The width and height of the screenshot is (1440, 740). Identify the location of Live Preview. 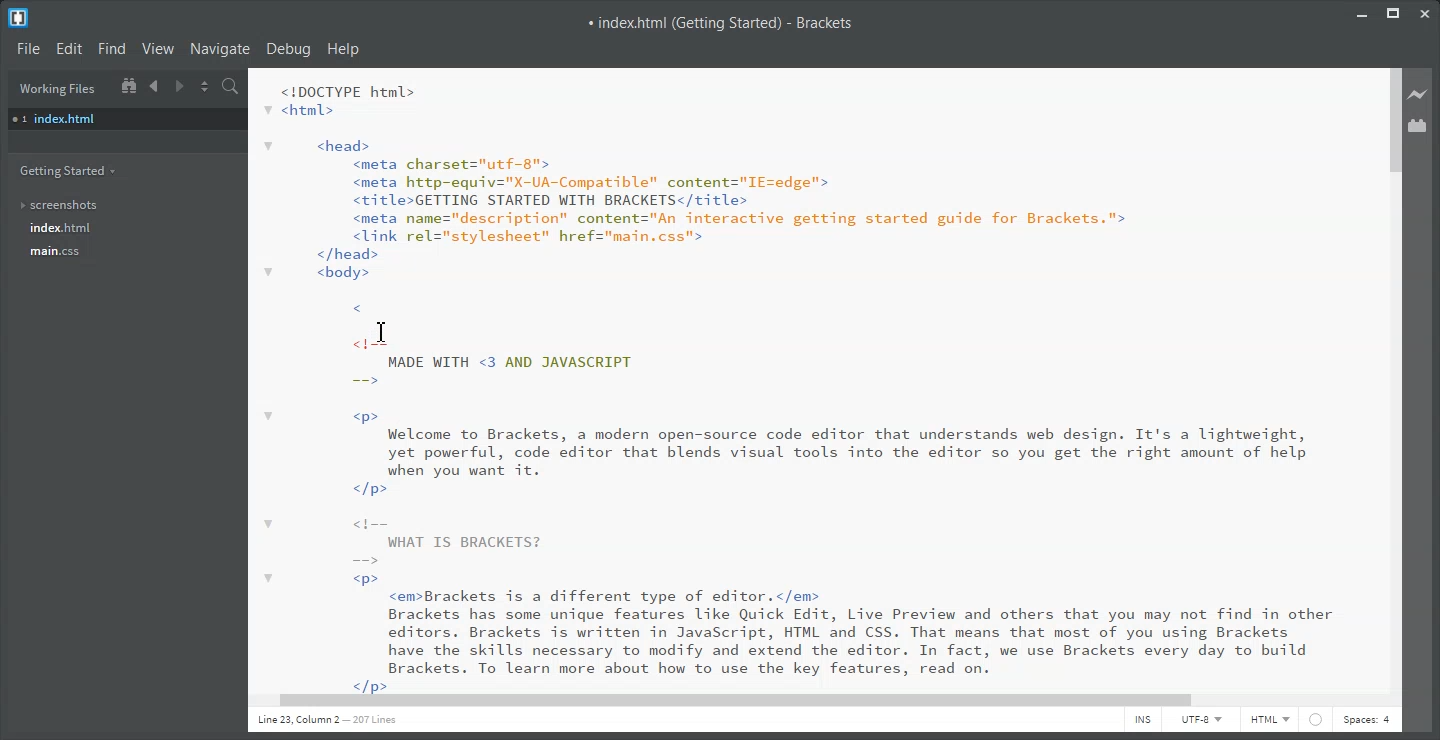
(1421, 94).